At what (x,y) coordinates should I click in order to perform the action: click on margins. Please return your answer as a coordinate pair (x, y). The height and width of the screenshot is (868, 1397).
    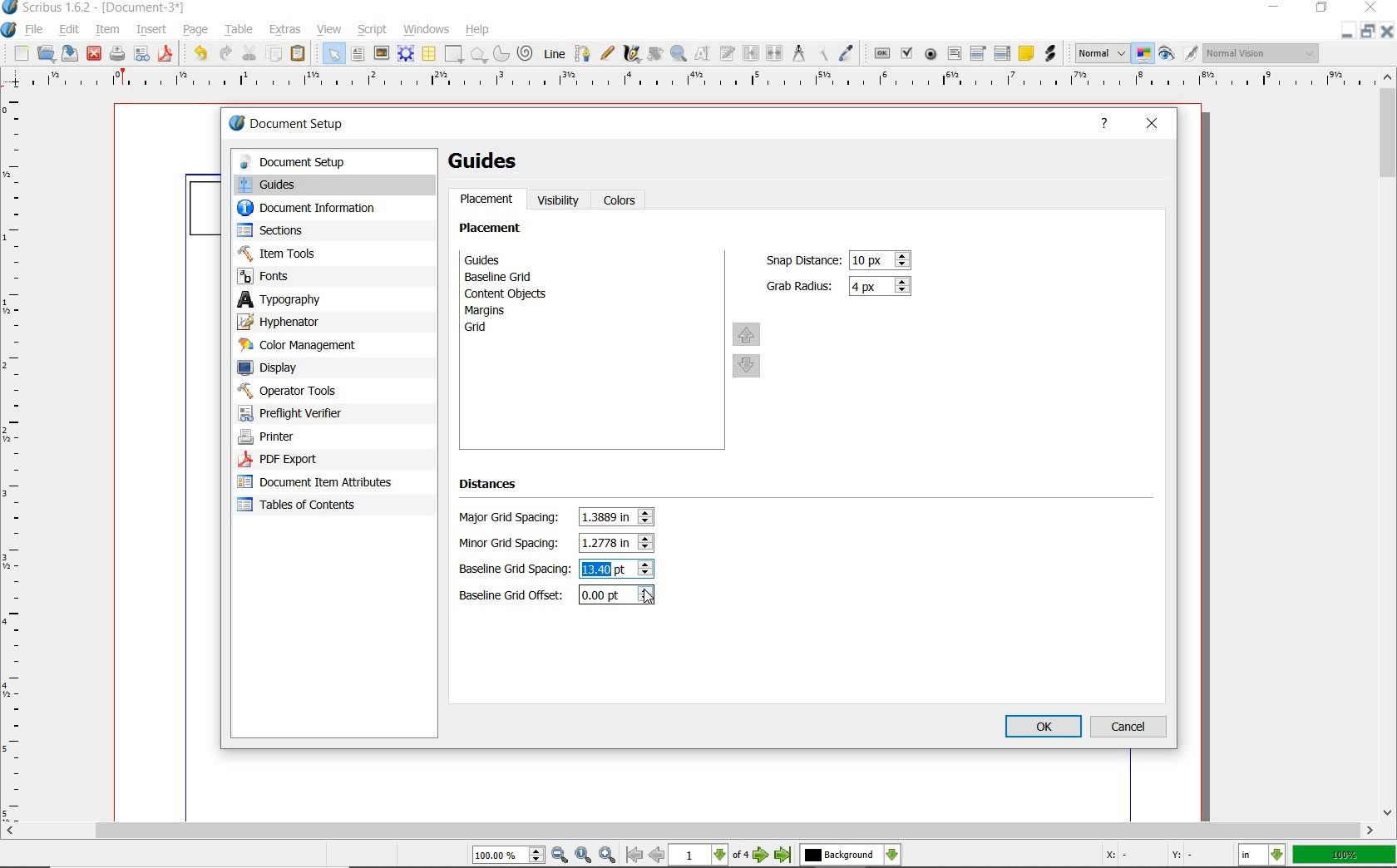
    Looking at the image, I should click on (494, 310).